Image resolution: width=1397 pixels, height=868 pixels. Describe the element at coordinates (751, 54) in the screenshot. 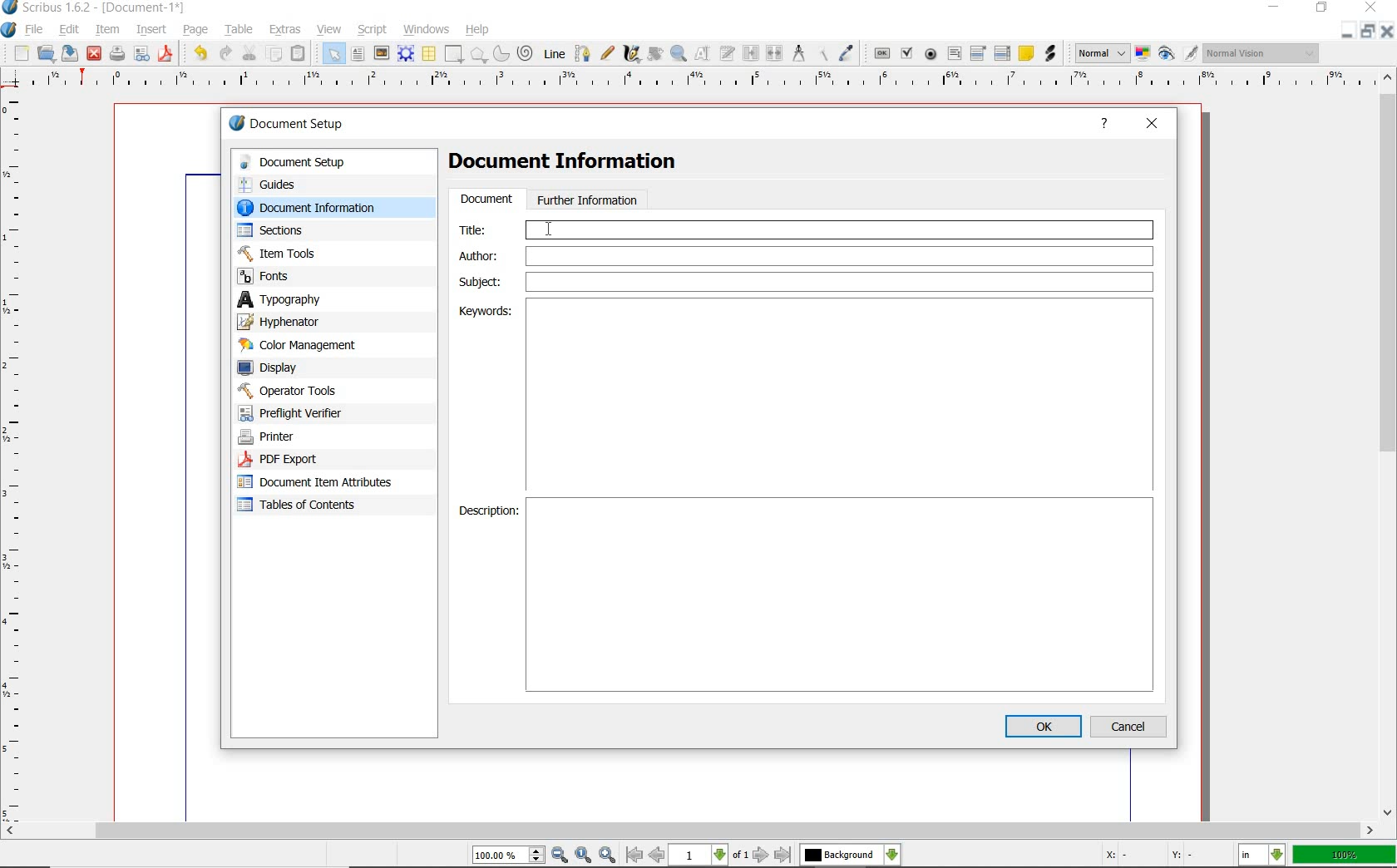

I see `link text frames` at that location.